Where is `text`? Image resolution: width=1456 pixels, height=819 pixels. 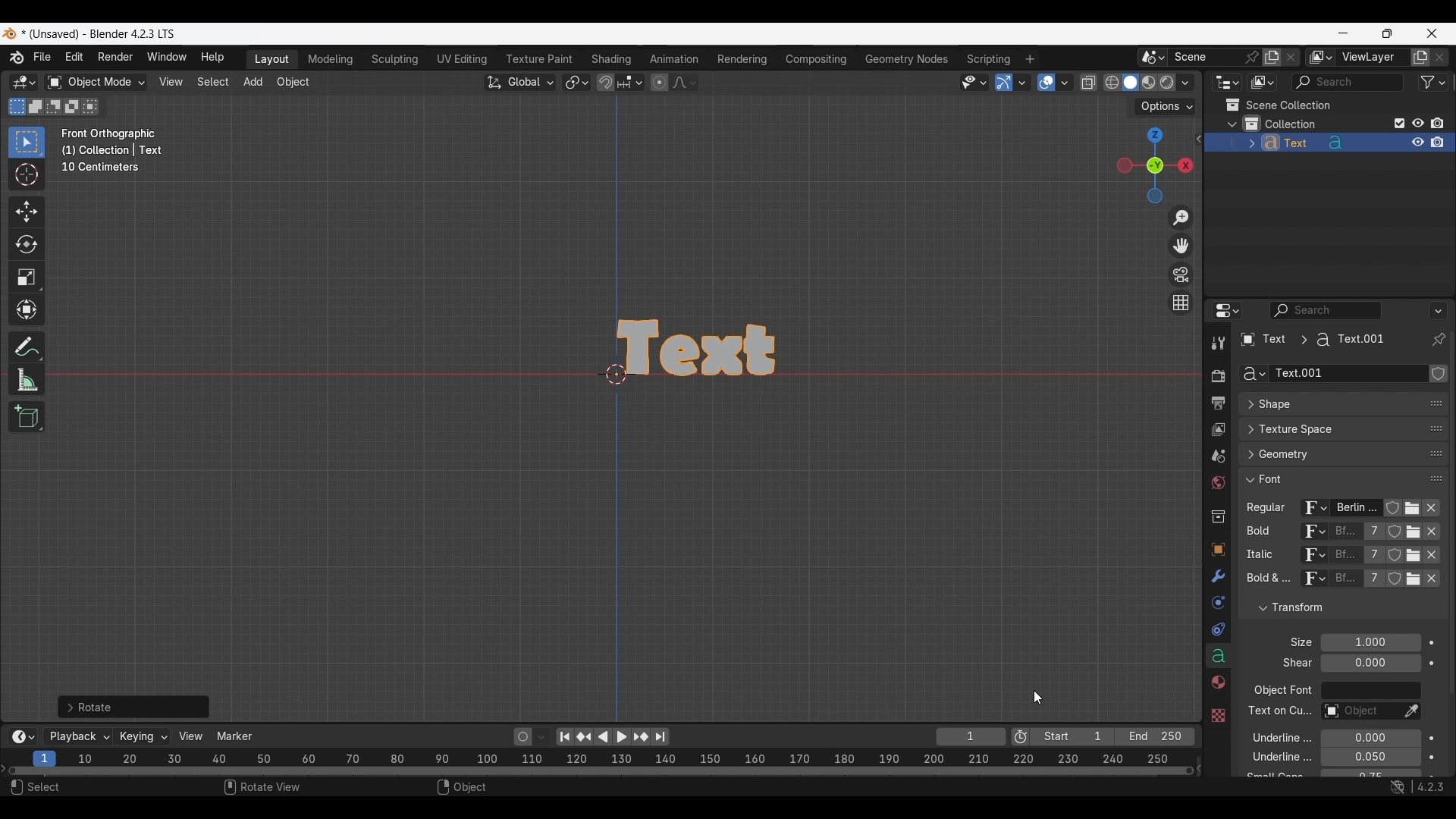
text is located at coordinates (1293, 664).